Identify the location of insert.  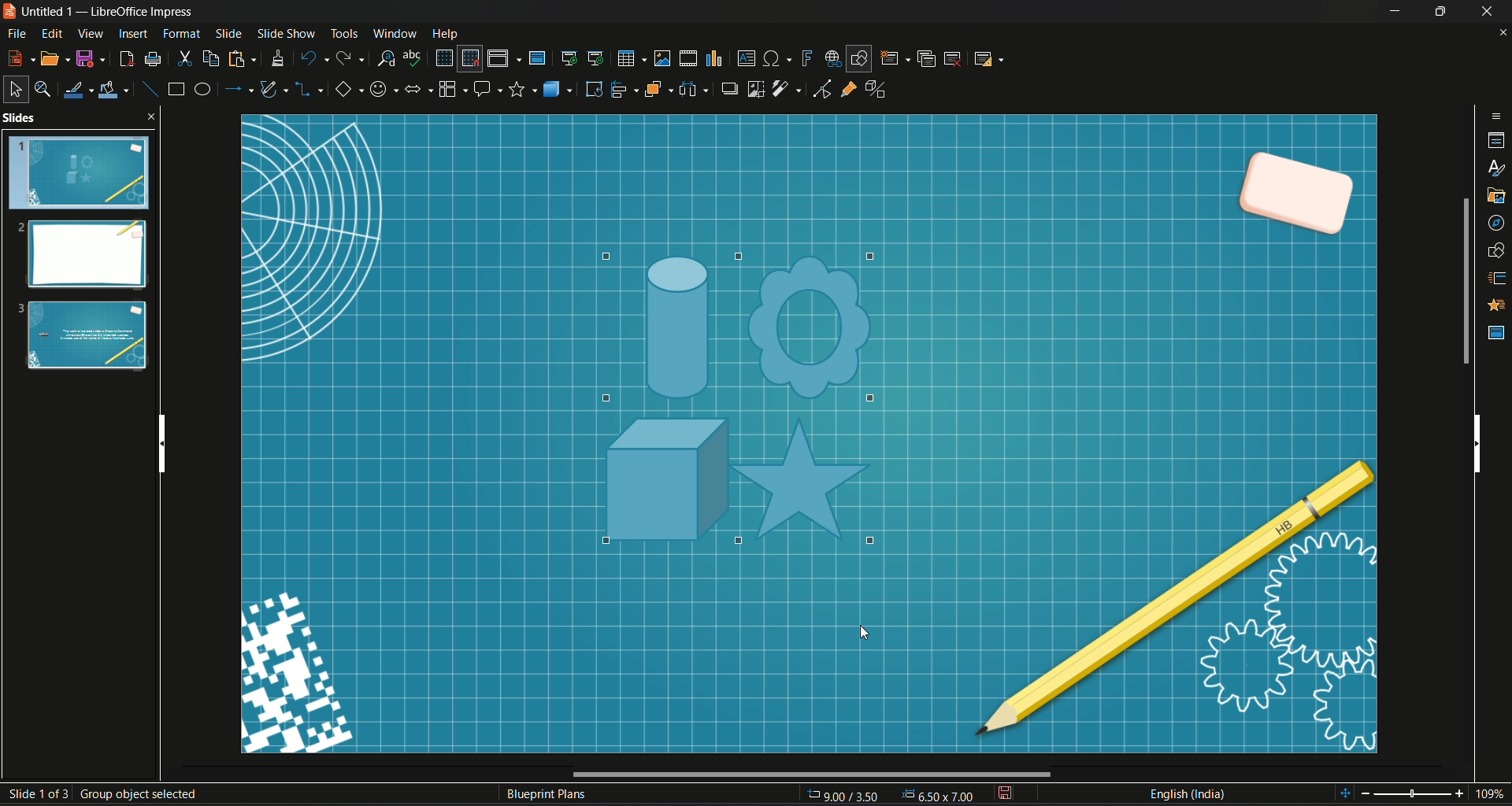
(132, 34).